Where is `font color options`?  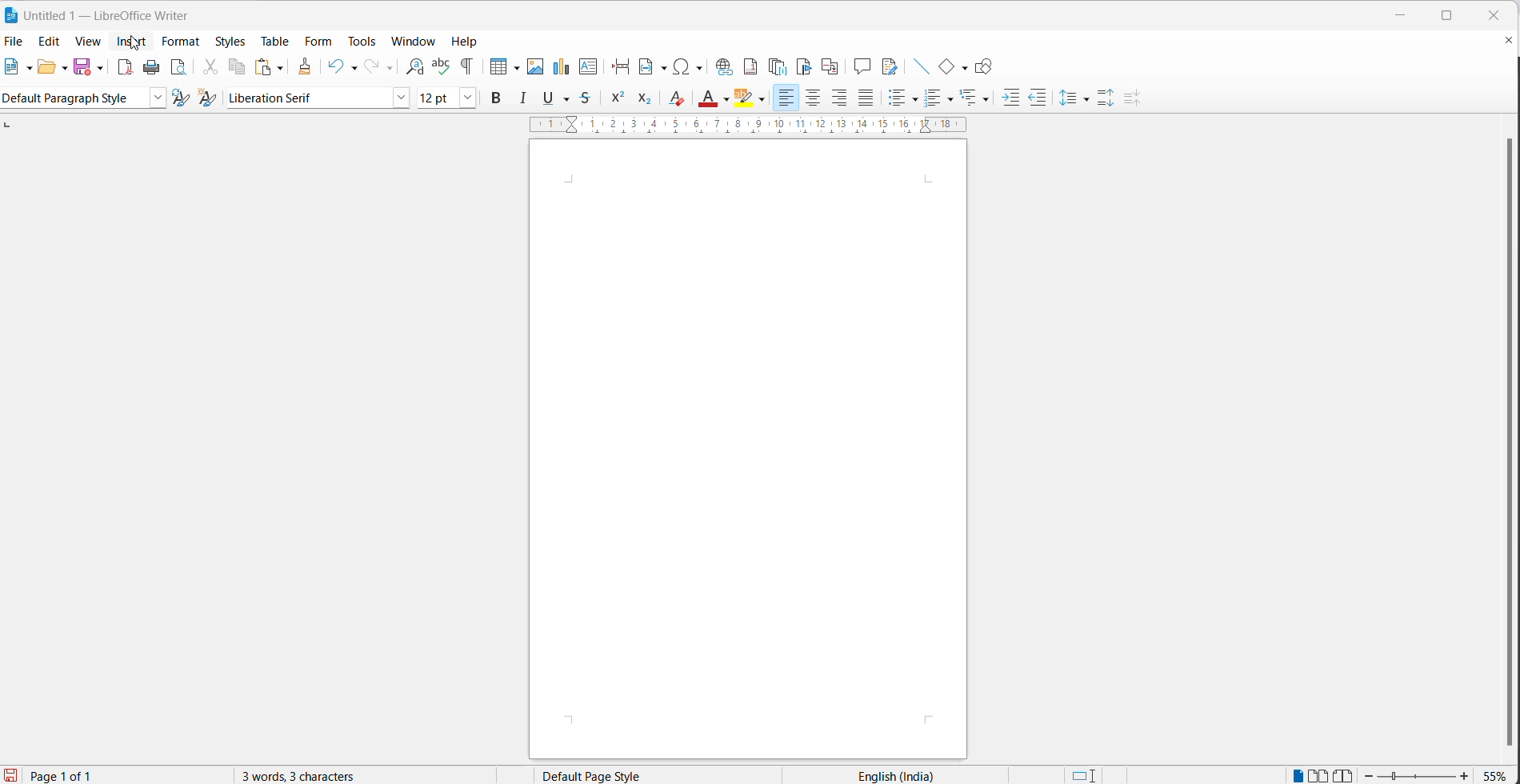 font color options is located at coordinates (726, 98).